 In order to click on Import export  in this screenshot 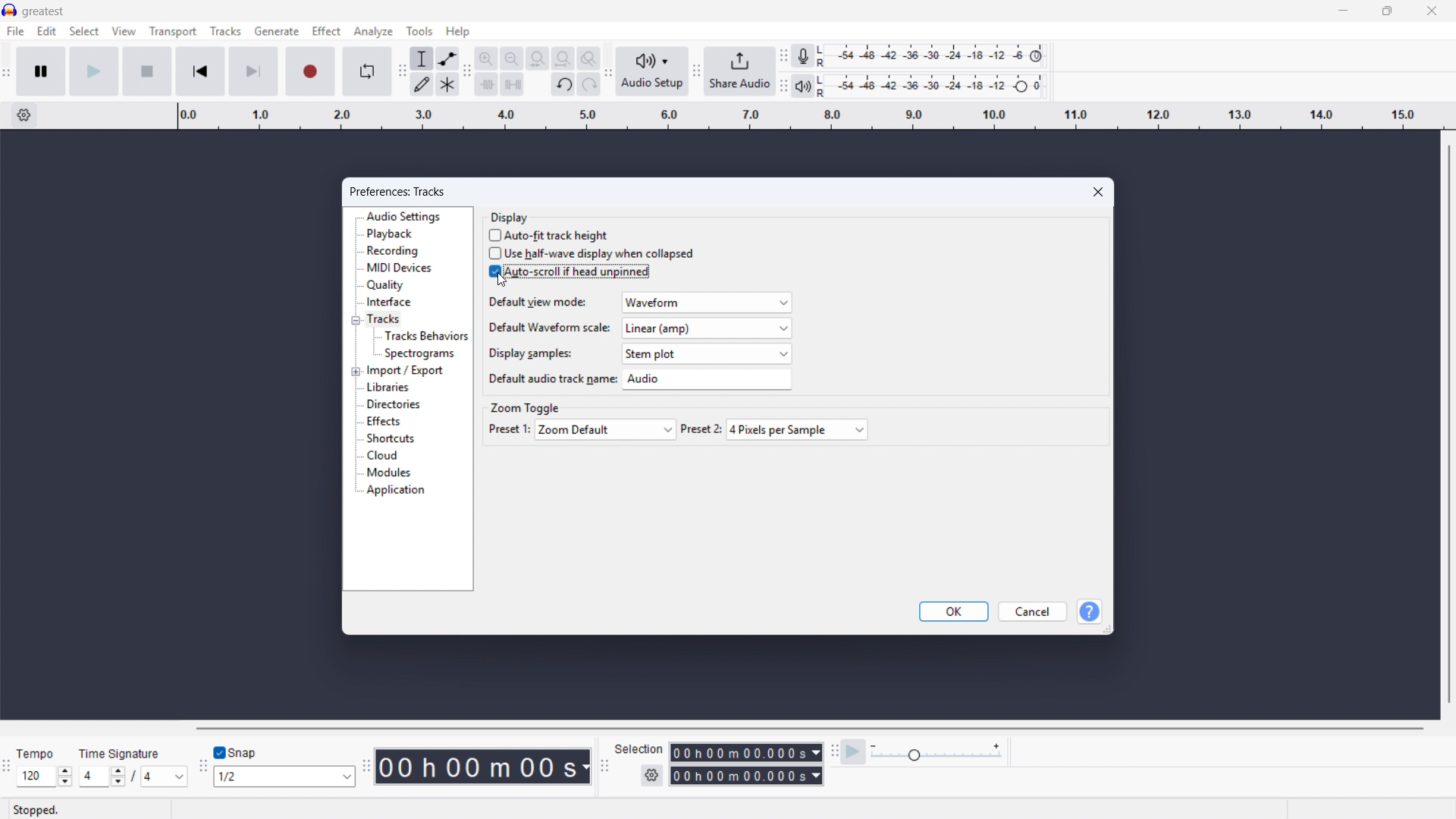, I will do `click(406, 370)`.